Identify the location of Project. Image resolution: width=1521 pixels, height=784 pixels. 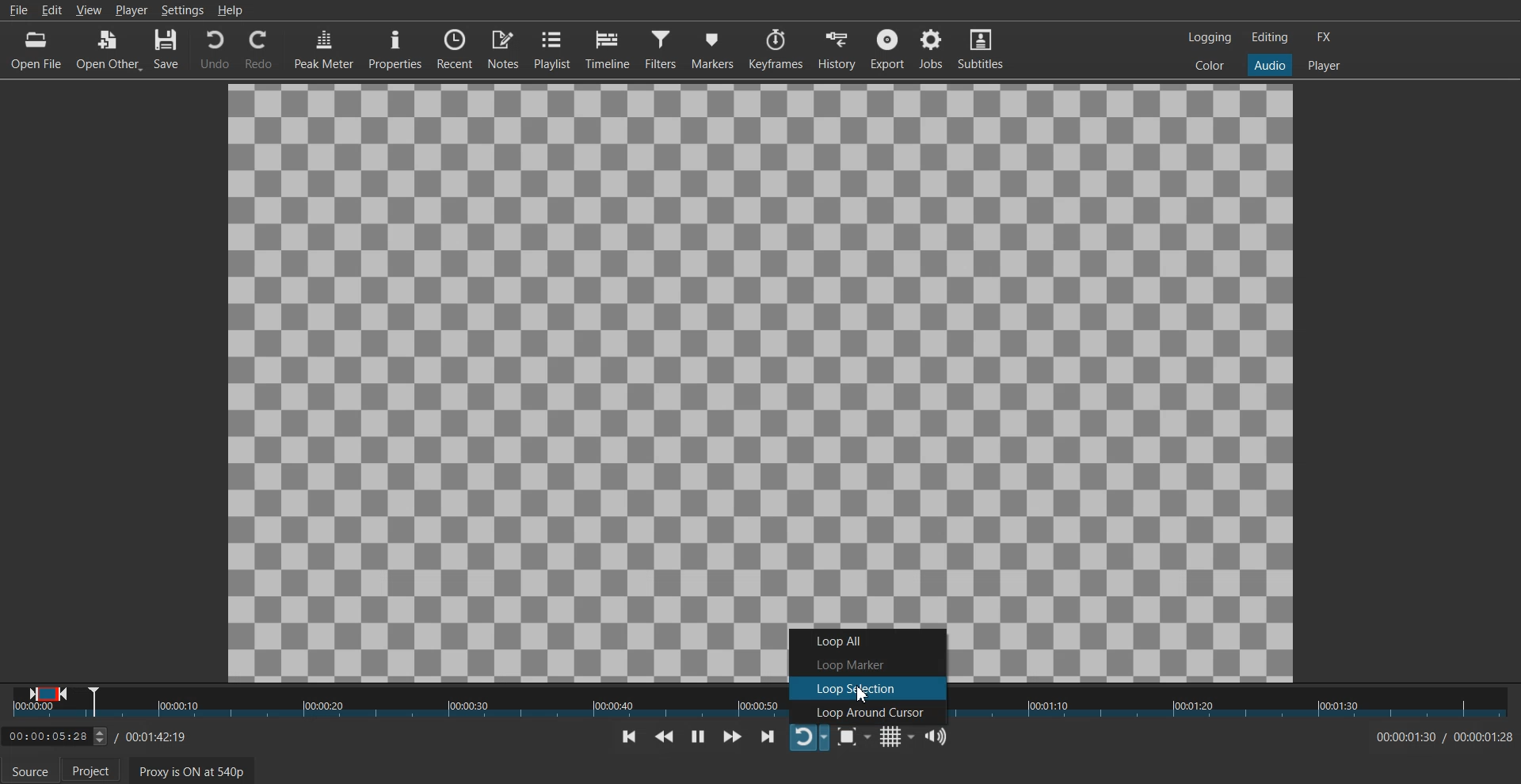
(96, 771).